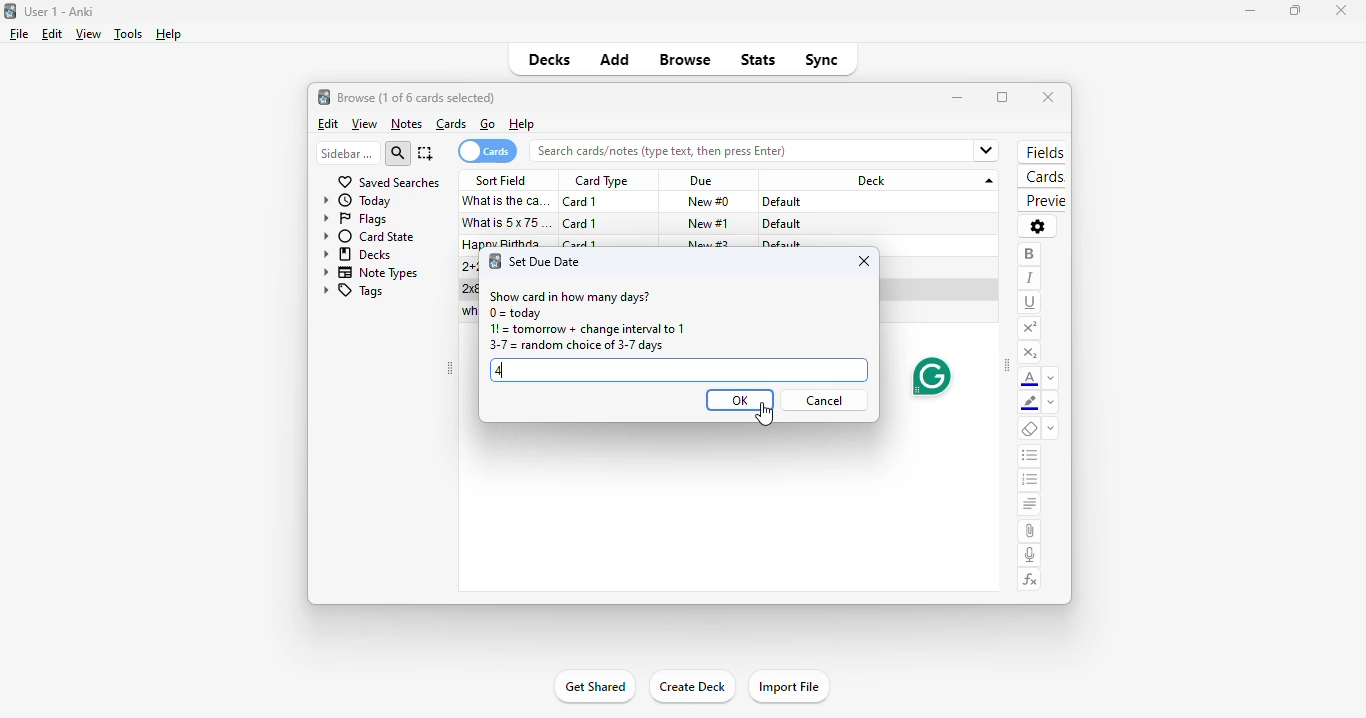 The height and width of the screenshot is (718, 1366). What do you see at coordinates (1030, 482) in the screenshot?
I see `ordered list` at bounding box center [1030, 482].